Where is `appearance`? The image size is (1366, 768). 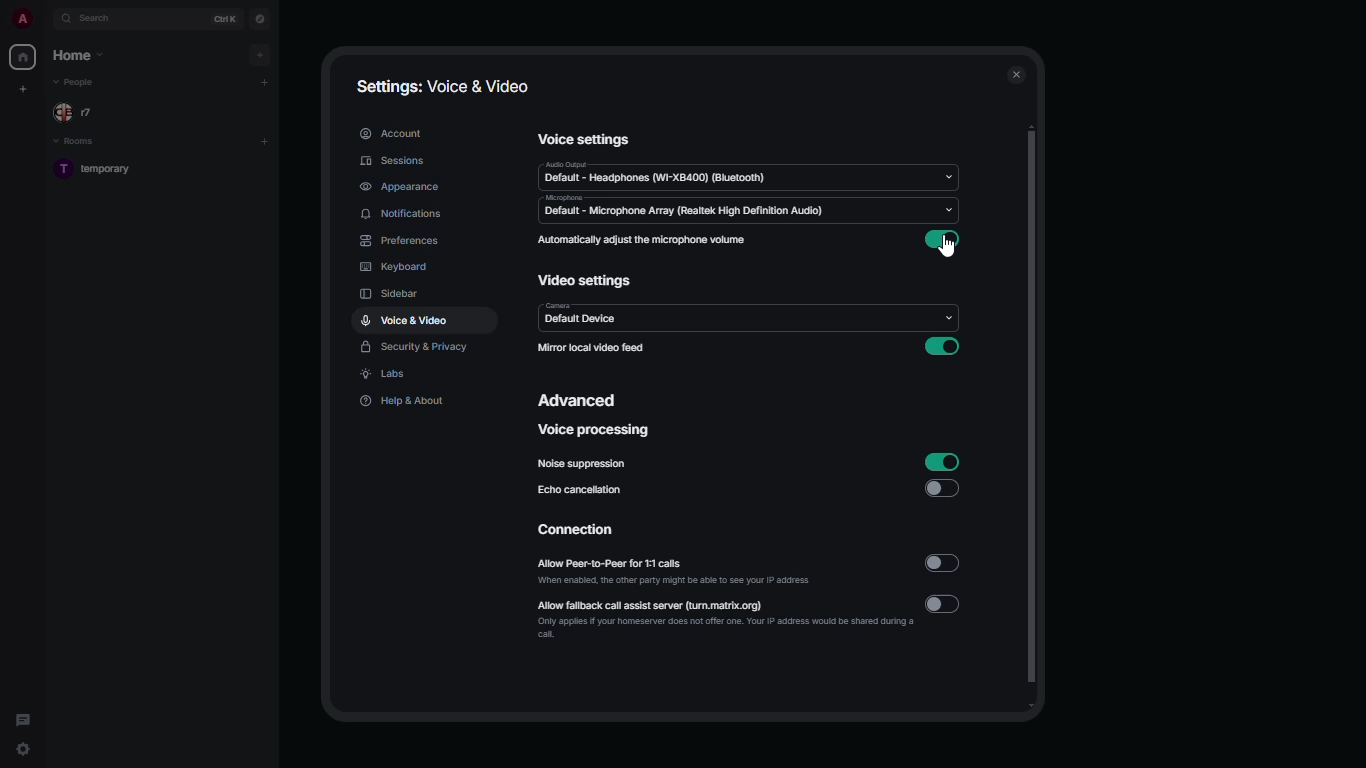
appearance is located at coordinates (401, 187).